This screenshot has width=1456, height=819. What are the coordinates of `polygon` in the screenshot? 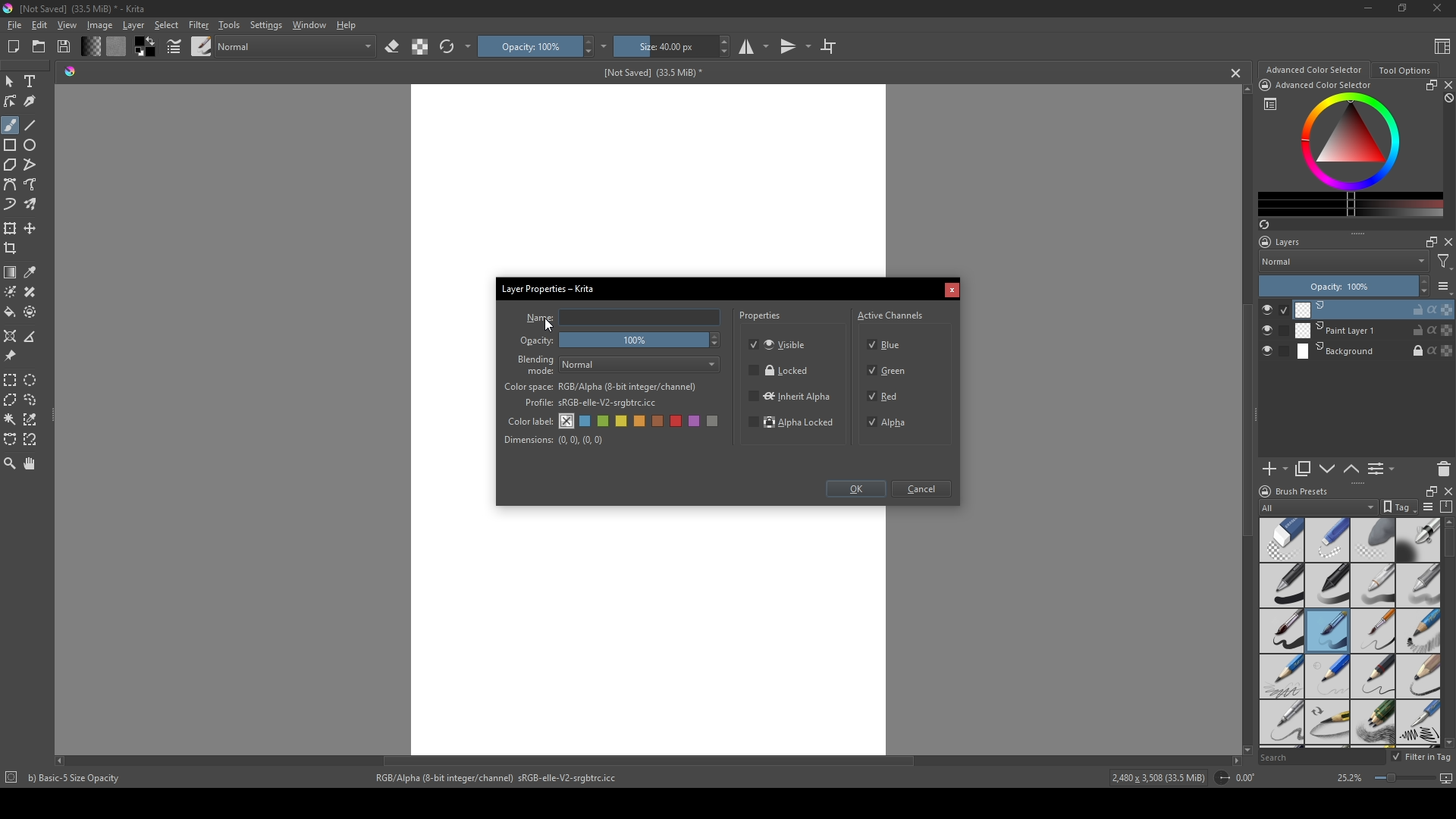 It's located at (10, 165).